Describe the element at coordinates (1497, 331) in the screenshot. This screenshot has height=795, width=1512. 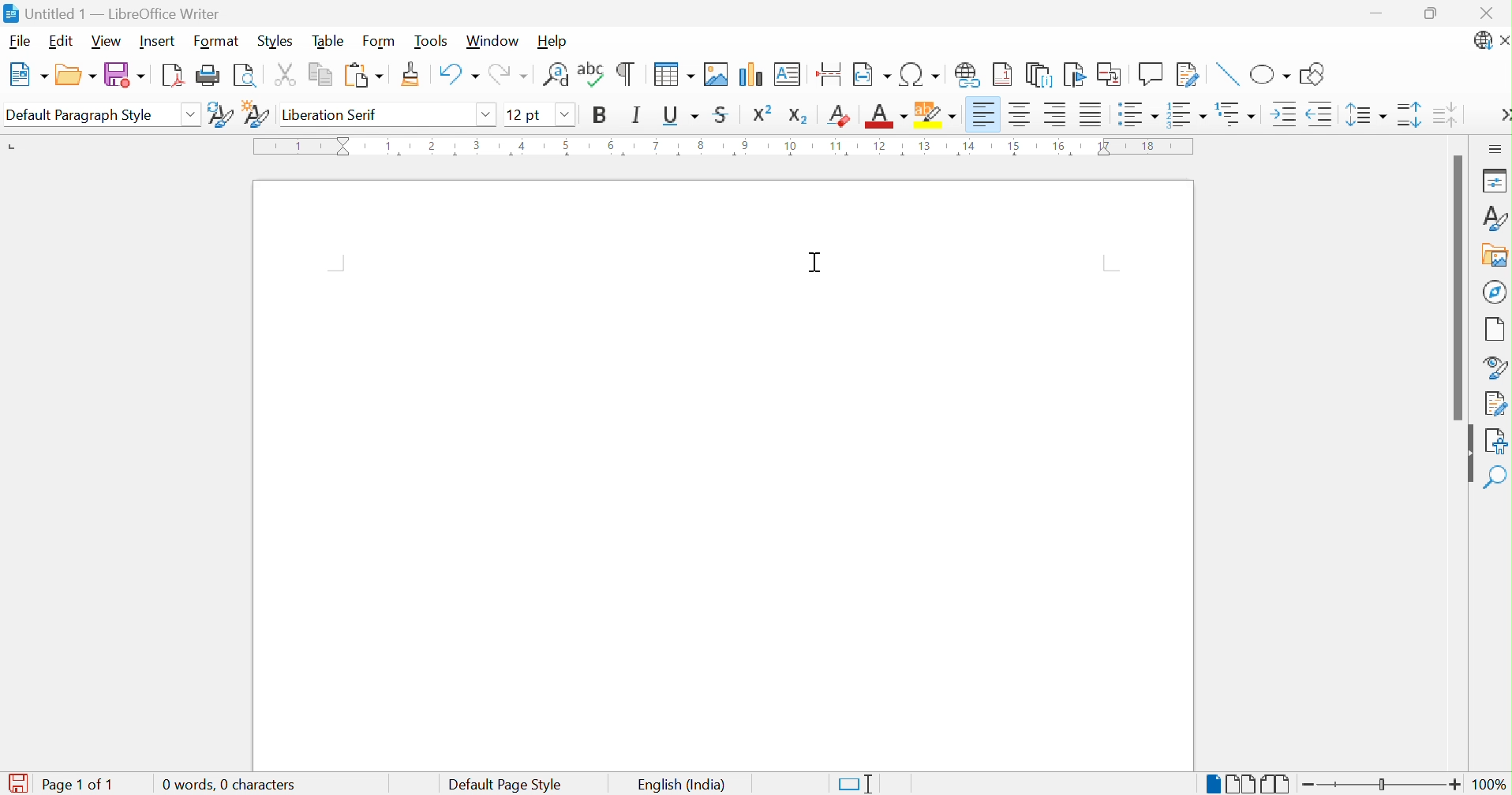
I see `Page` at that location.